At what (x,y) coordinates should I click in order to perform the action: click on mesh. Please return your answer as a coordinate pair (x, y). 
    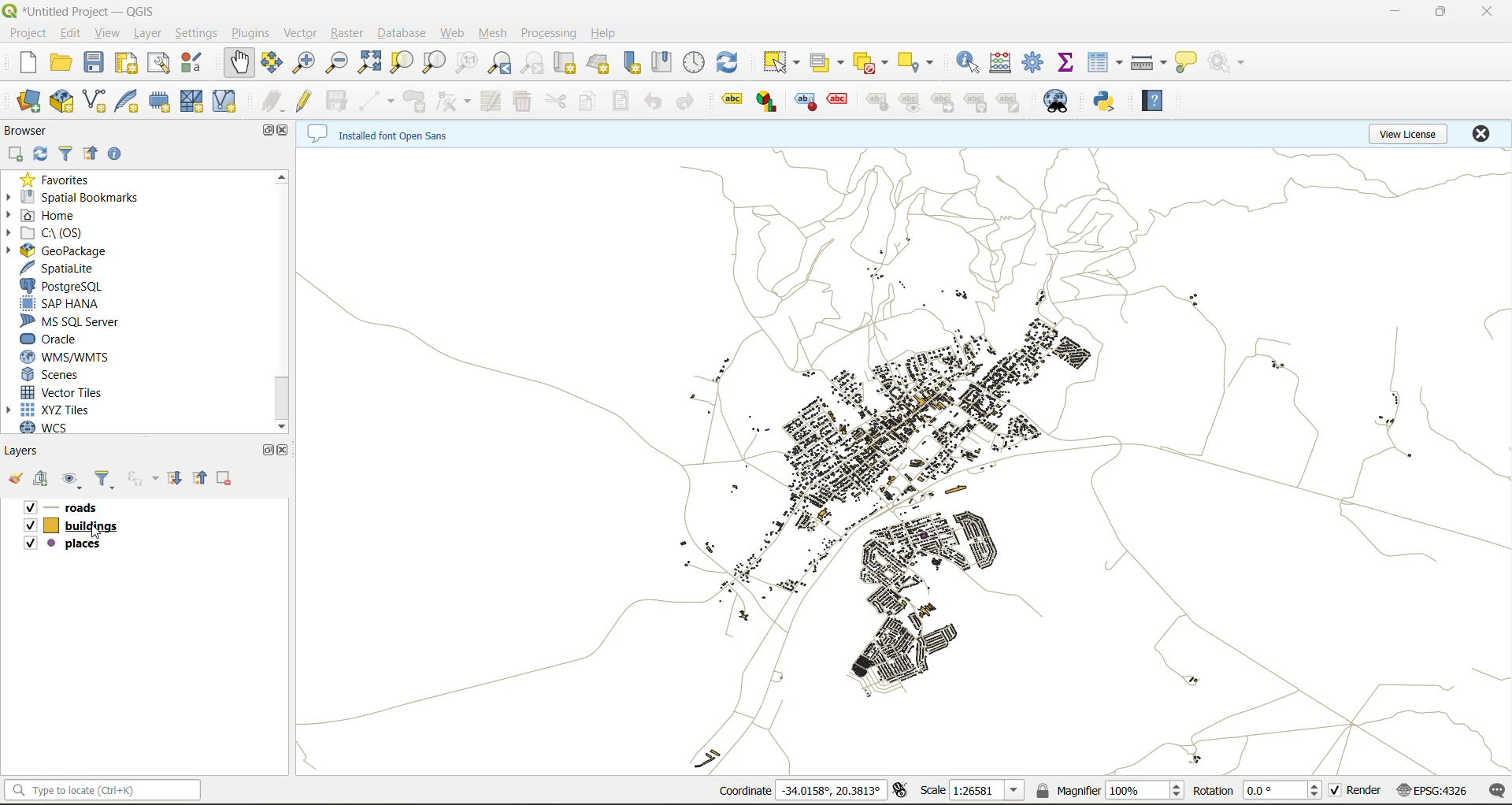
    Looking at the image, I should click on (494, 32).